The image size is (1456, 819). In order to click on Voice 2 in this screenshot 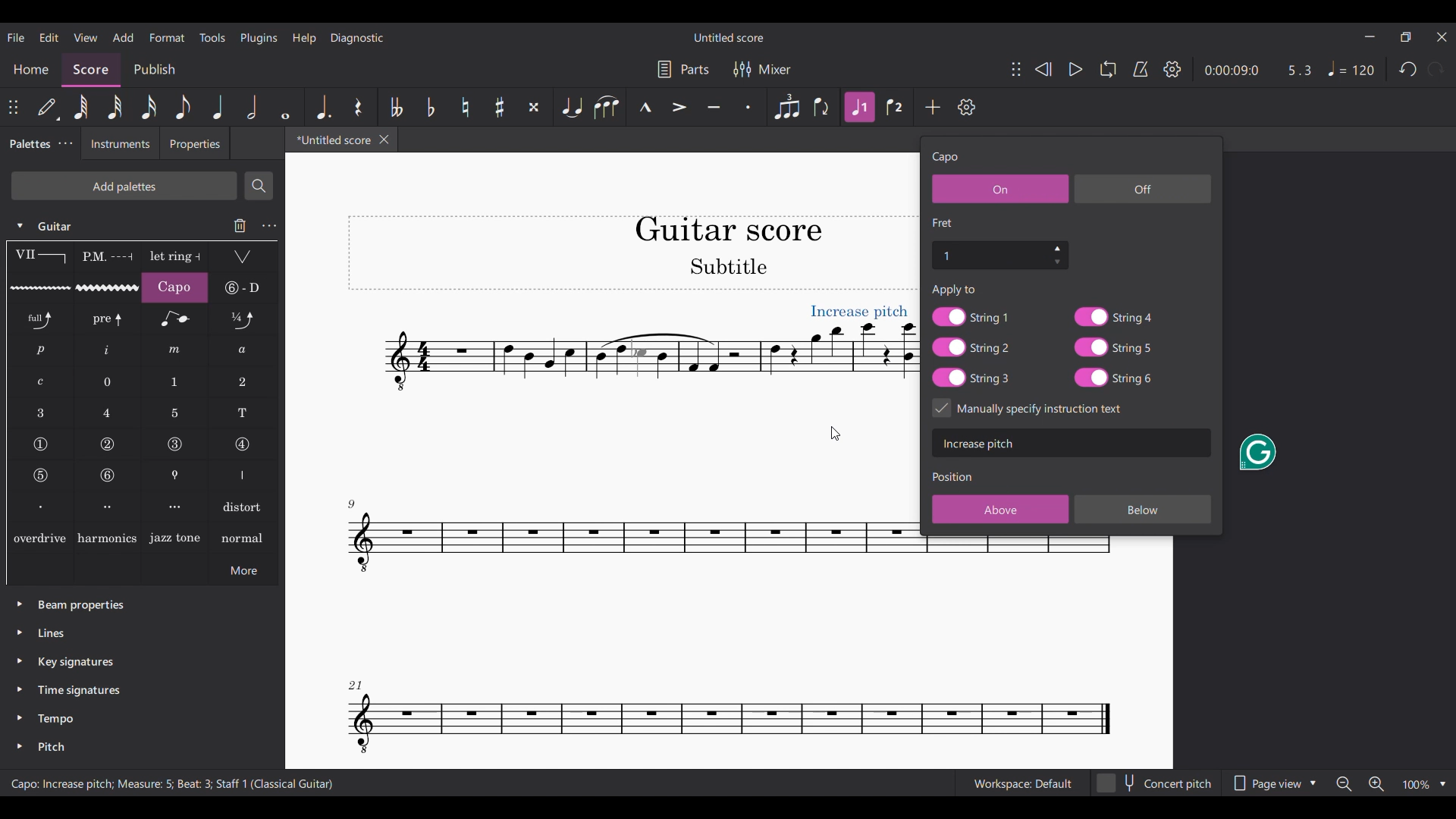, I will do `click(896, 107)`.